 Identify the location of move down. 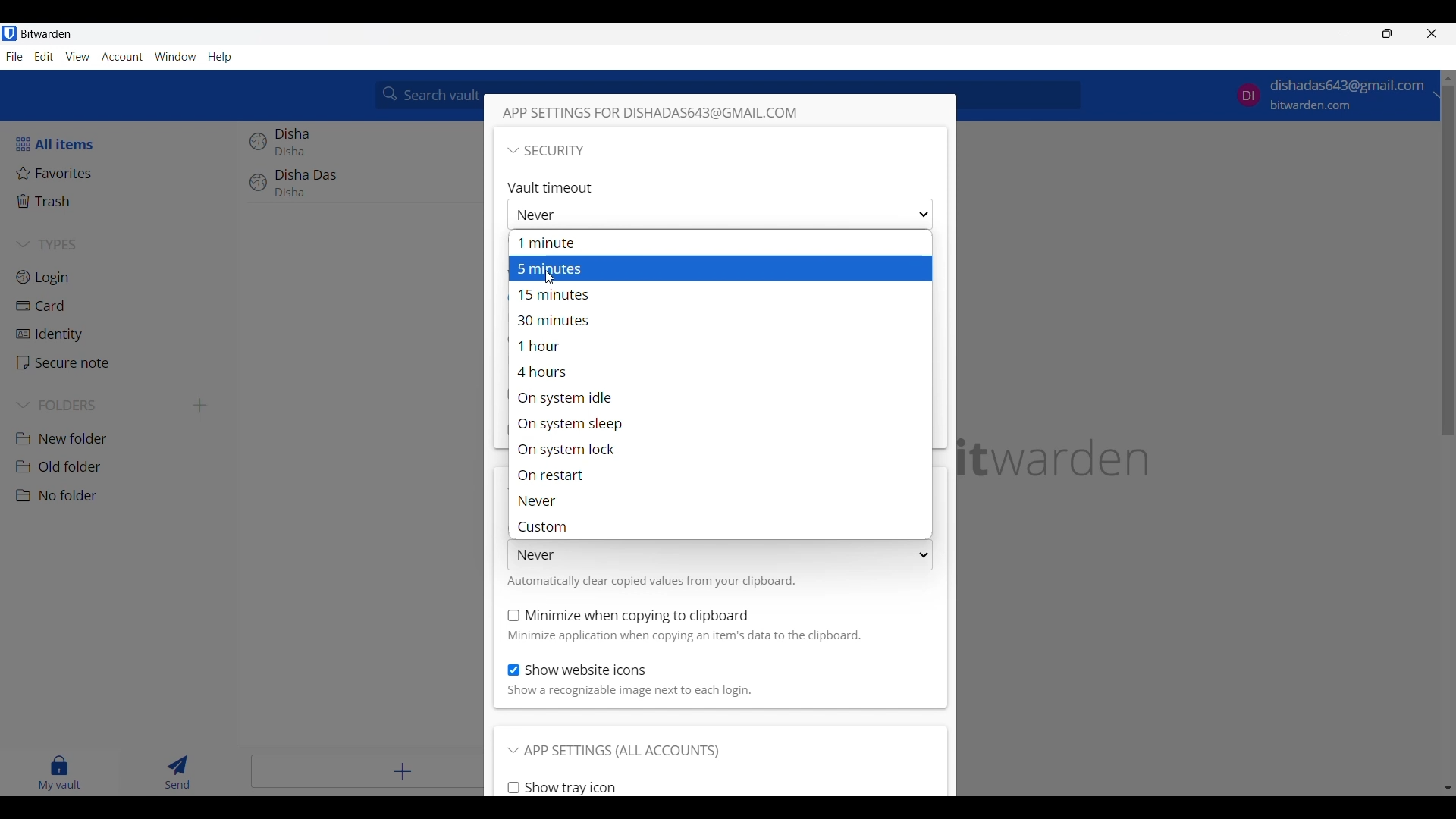
(1447, 786).